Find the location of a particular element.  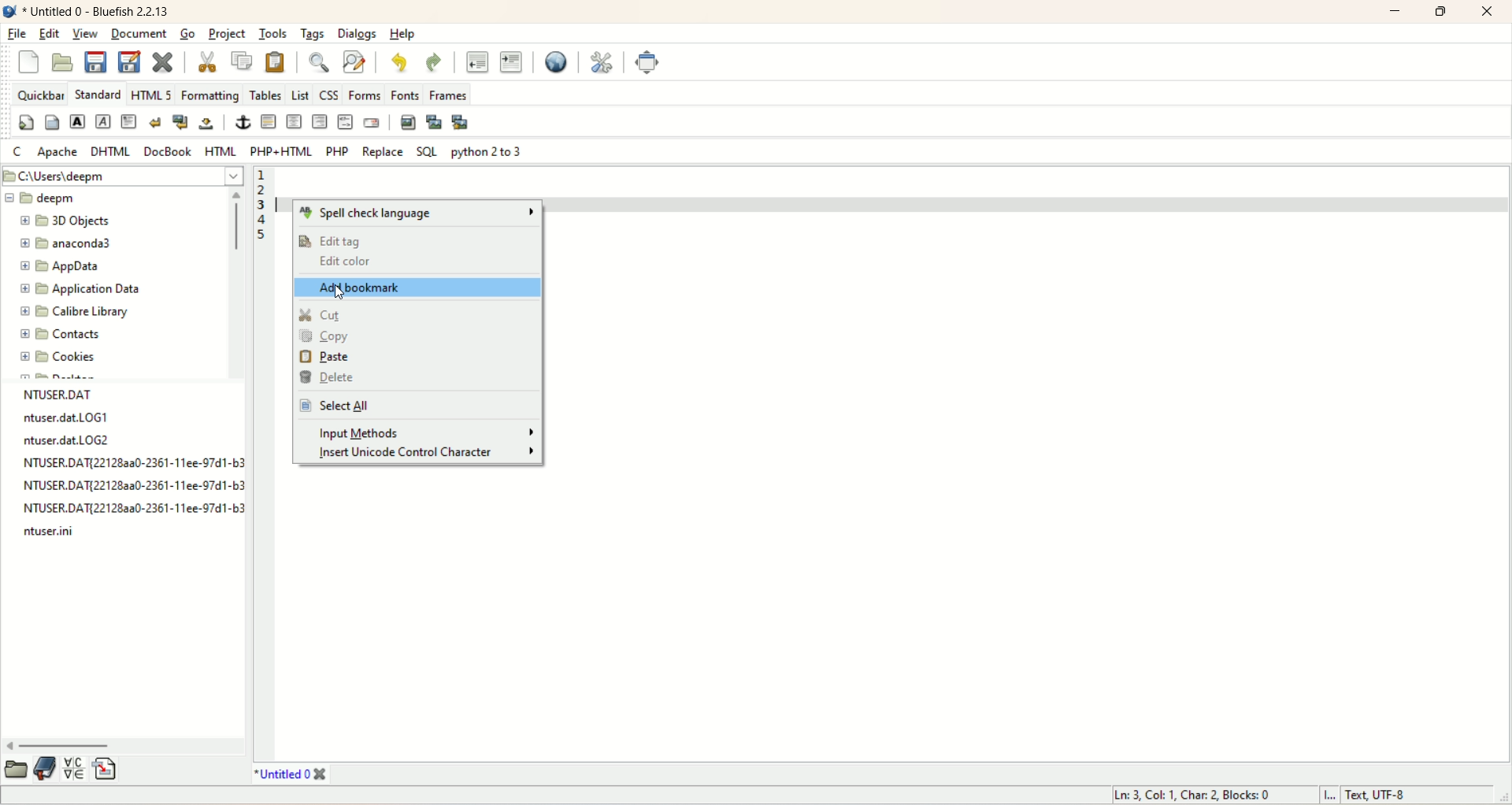

close current document is located at coordinates (165, 59).